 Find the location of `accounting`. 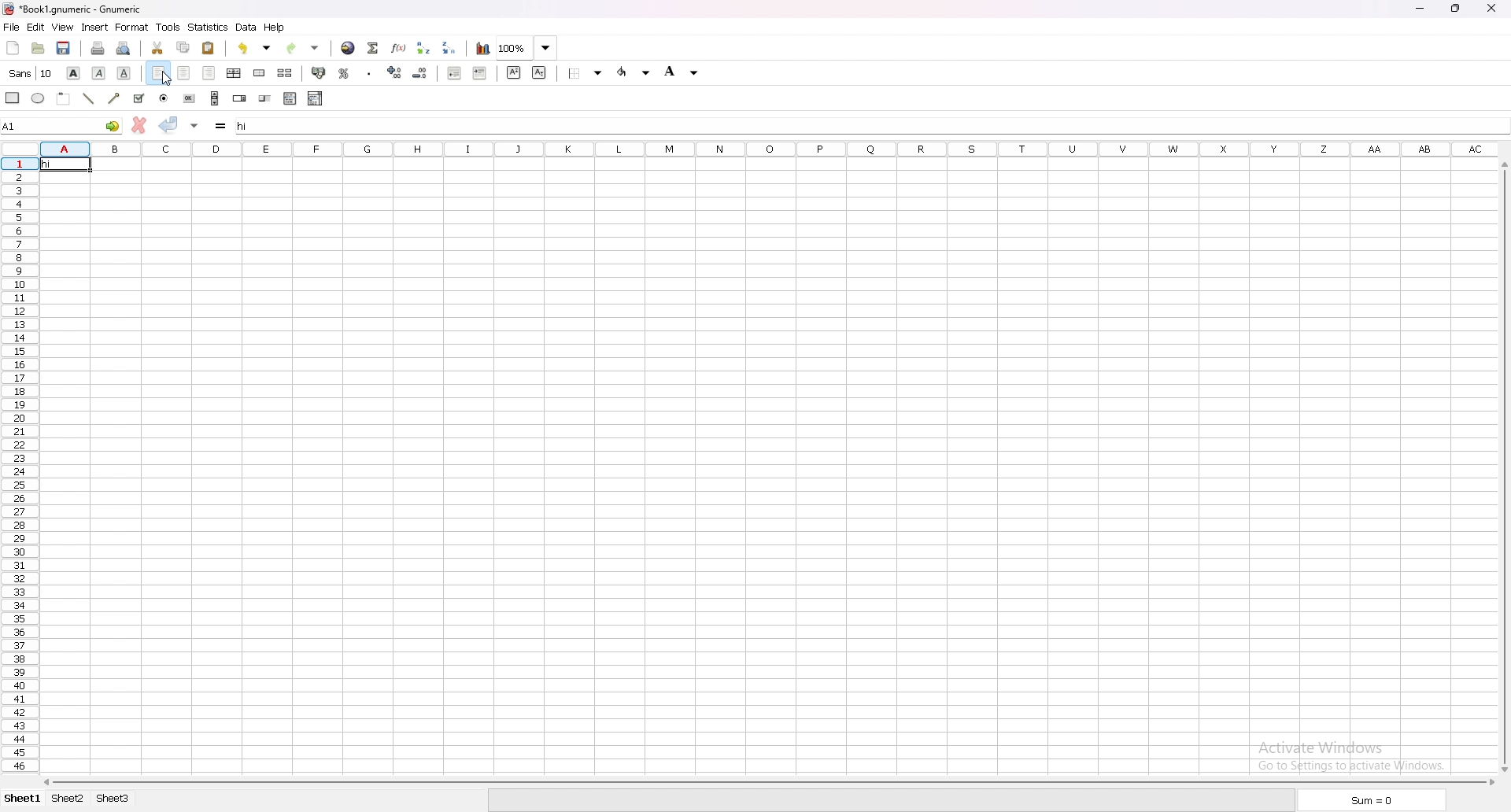

accounting is located at coordinates (320, 72).